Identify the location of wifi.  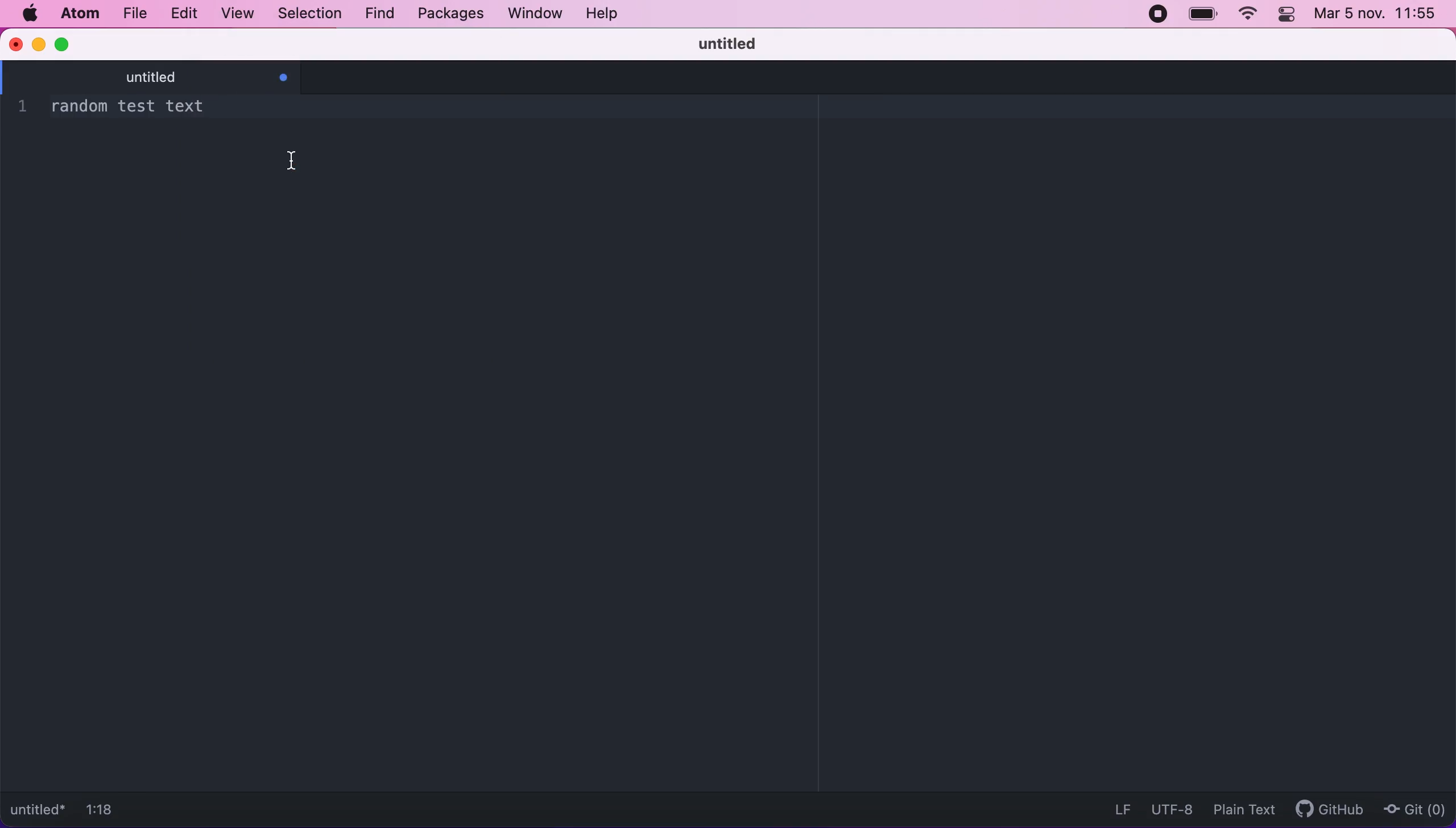
(1245, 14).